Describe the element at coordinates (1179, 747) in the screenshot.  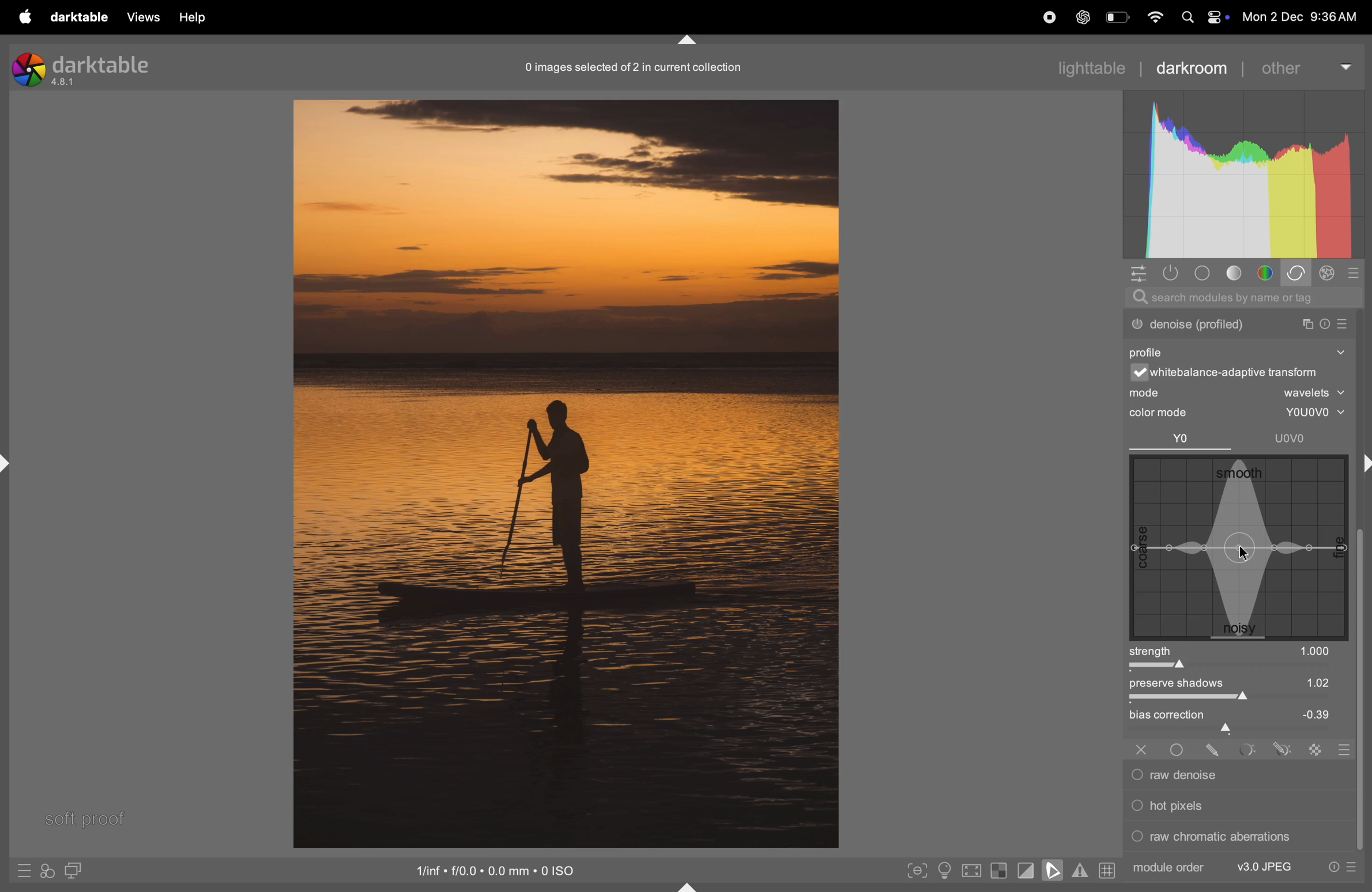
I see `` at that location.